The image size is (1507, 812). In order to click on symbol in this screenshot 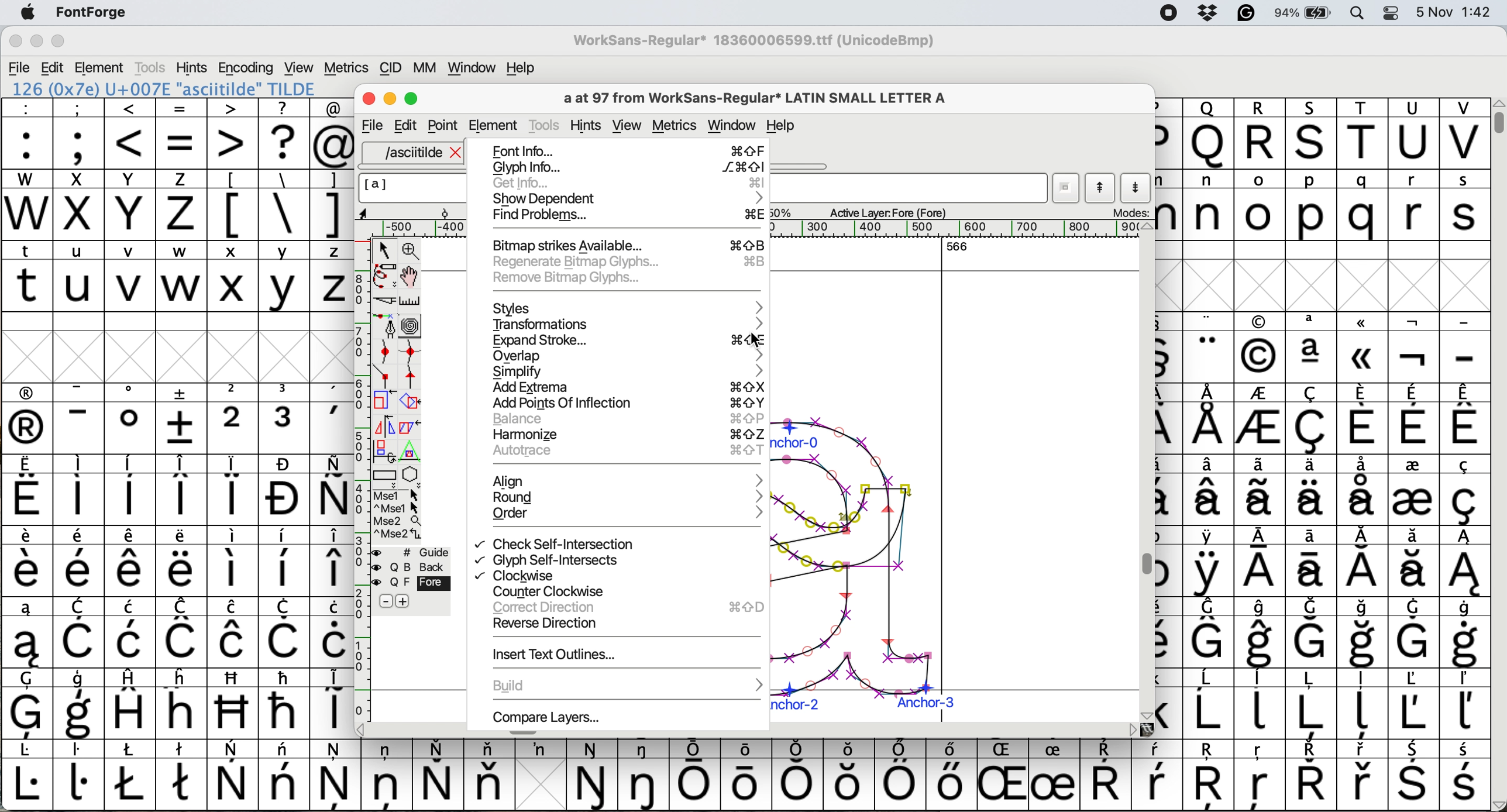, I will do `click(1313, 419)`.